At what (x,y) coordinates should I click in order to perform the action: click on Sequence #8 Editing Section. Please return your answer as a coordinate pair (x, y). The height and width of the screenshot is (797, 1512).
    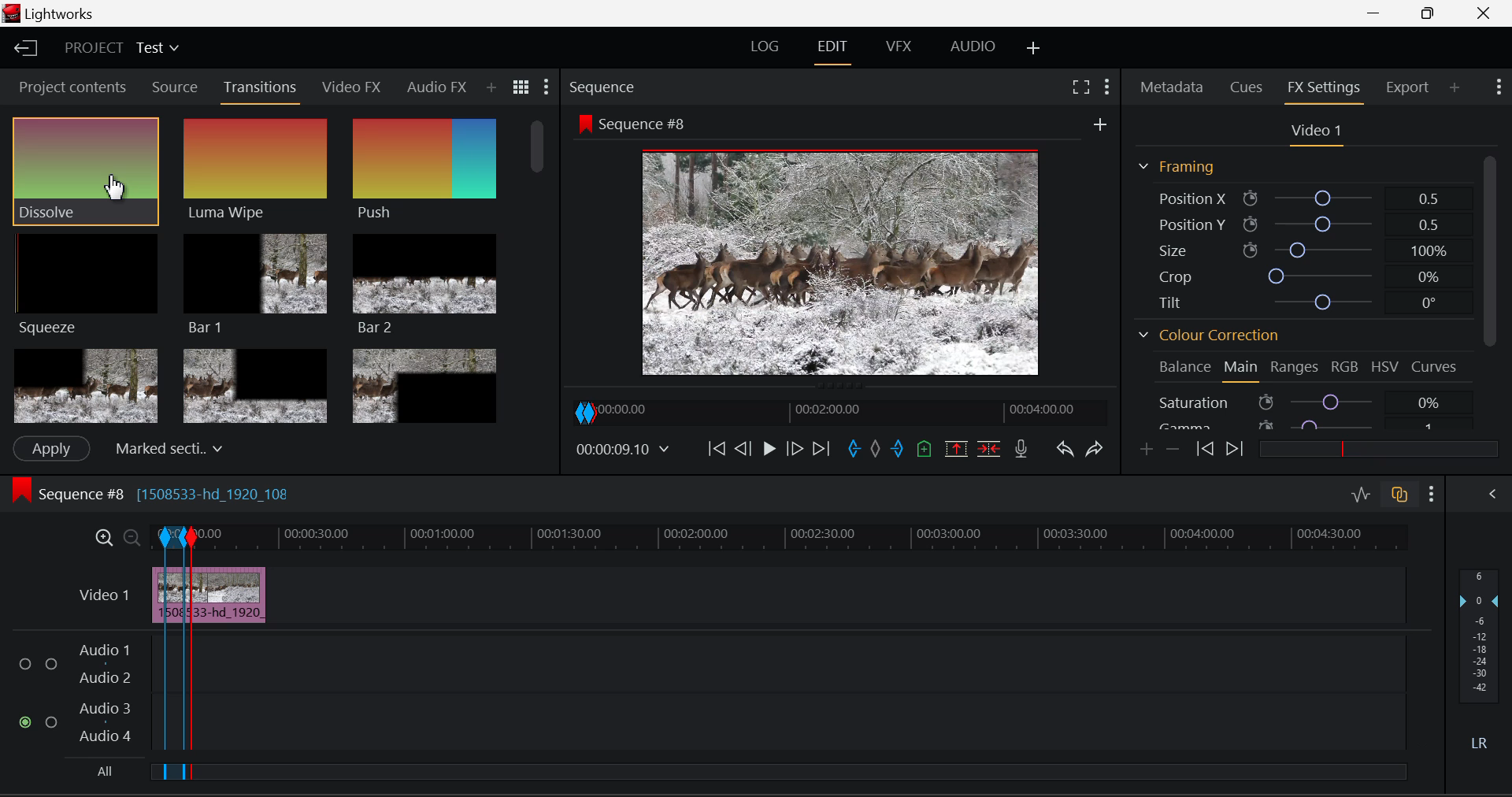
    Looking at the image, I should click on (198, 496).